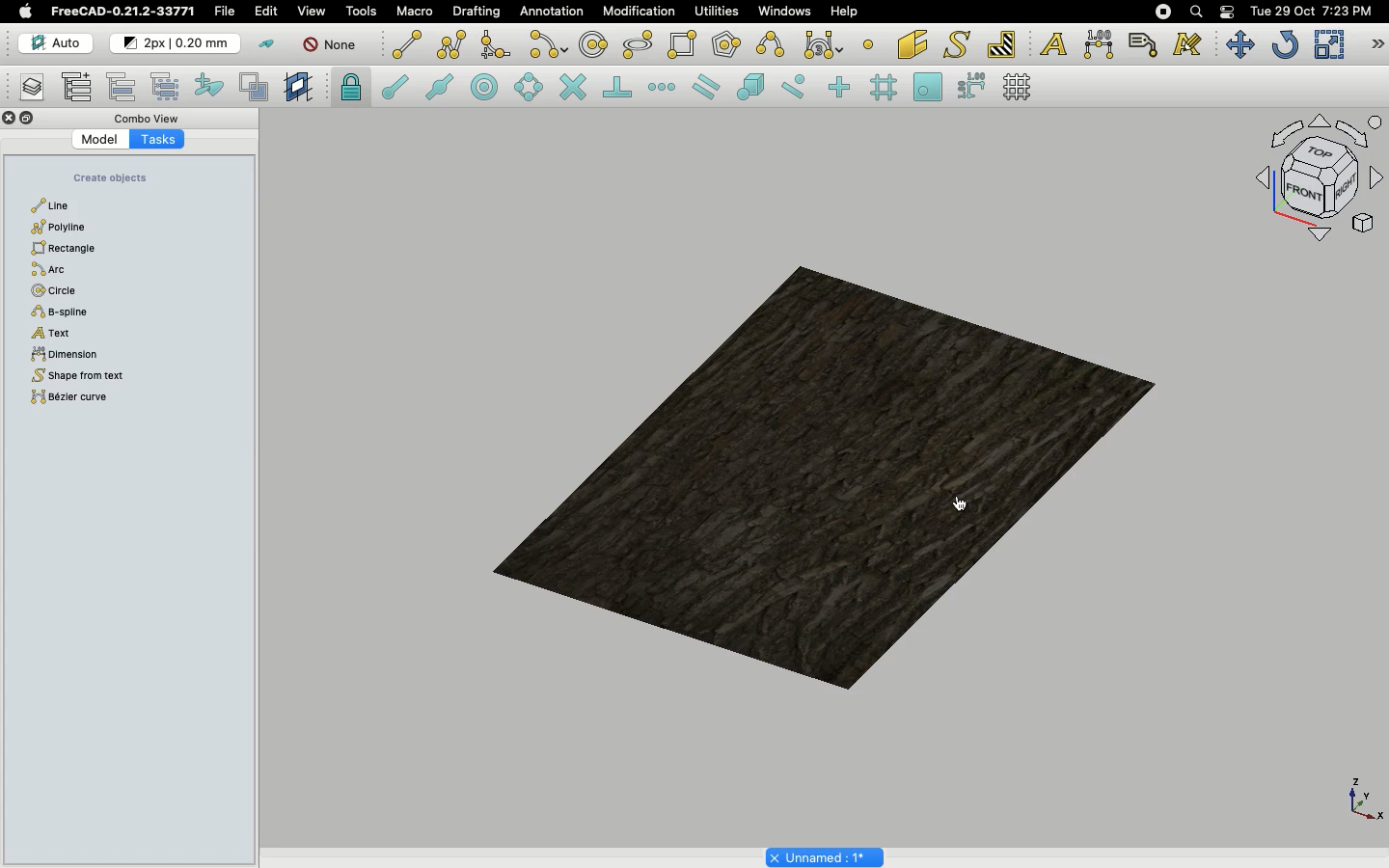 This screenshot has width=1389, height=868. Describe the element at coordinates (51, 203) in the screenshot. I see `Line` at that location.